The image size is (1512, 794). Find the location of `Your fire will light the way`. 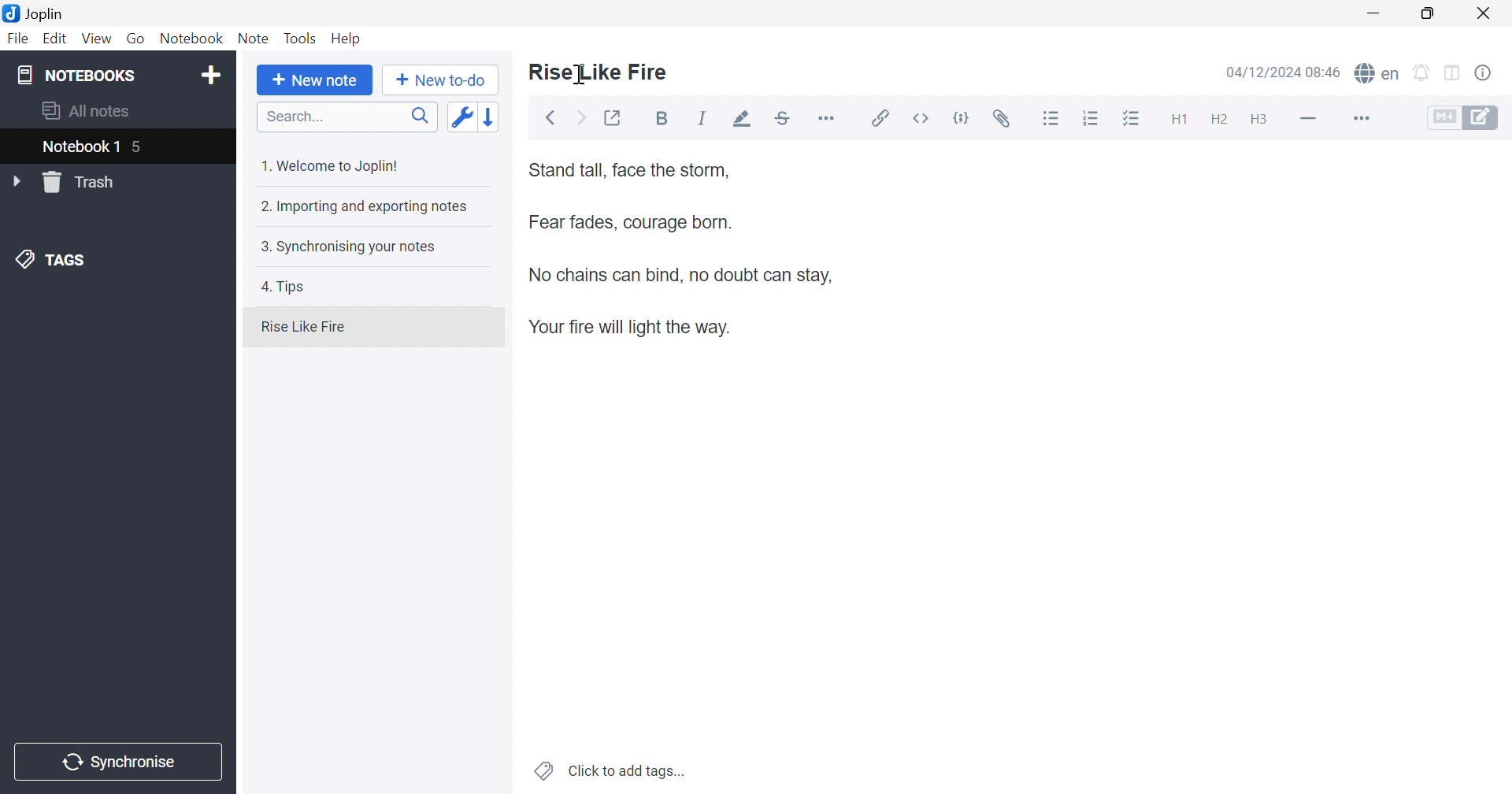

Your fire will light the way is located at coordinates (629, 328).